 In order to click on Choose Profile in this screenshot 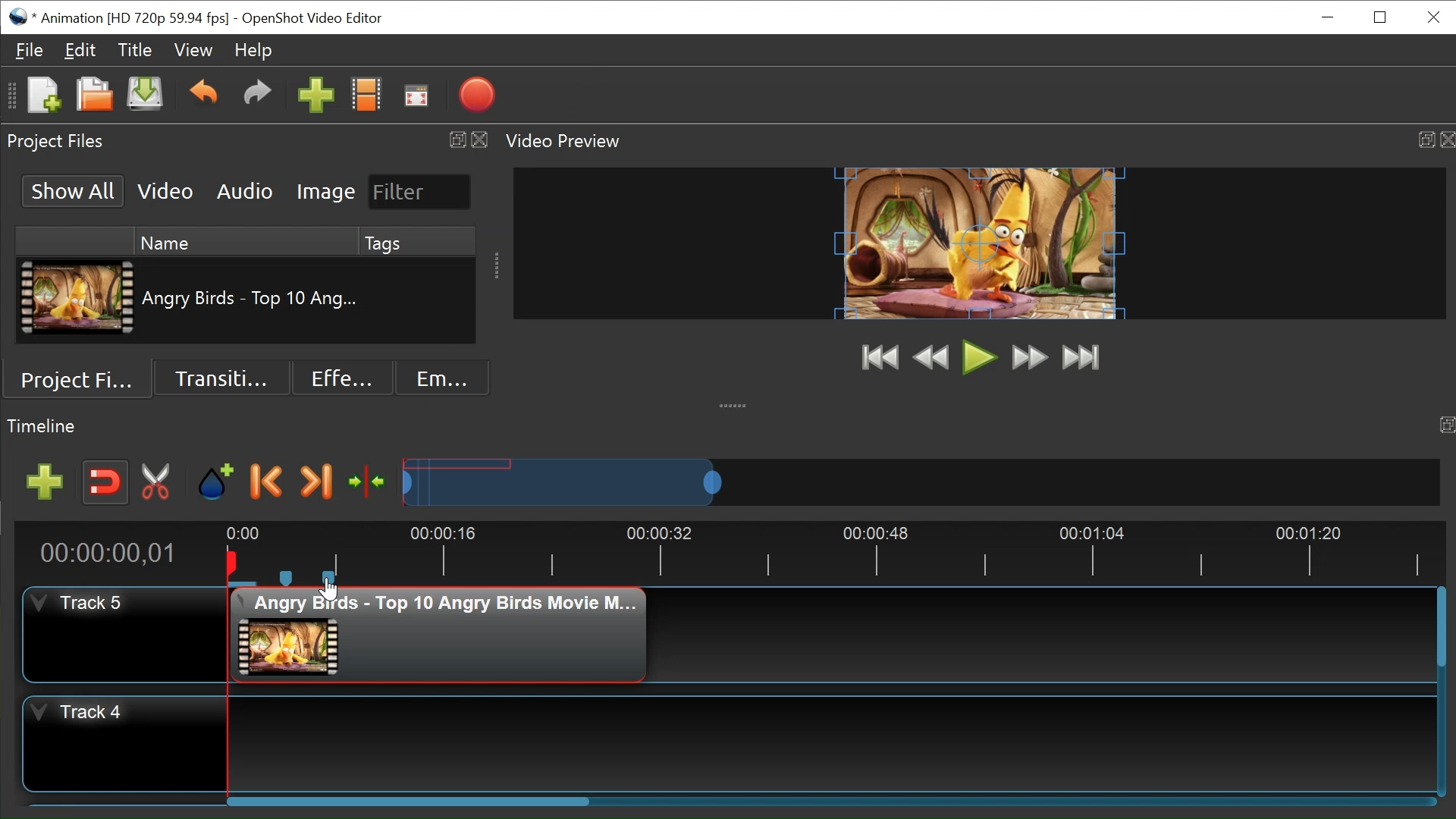, I will do `click(366, 98)`.